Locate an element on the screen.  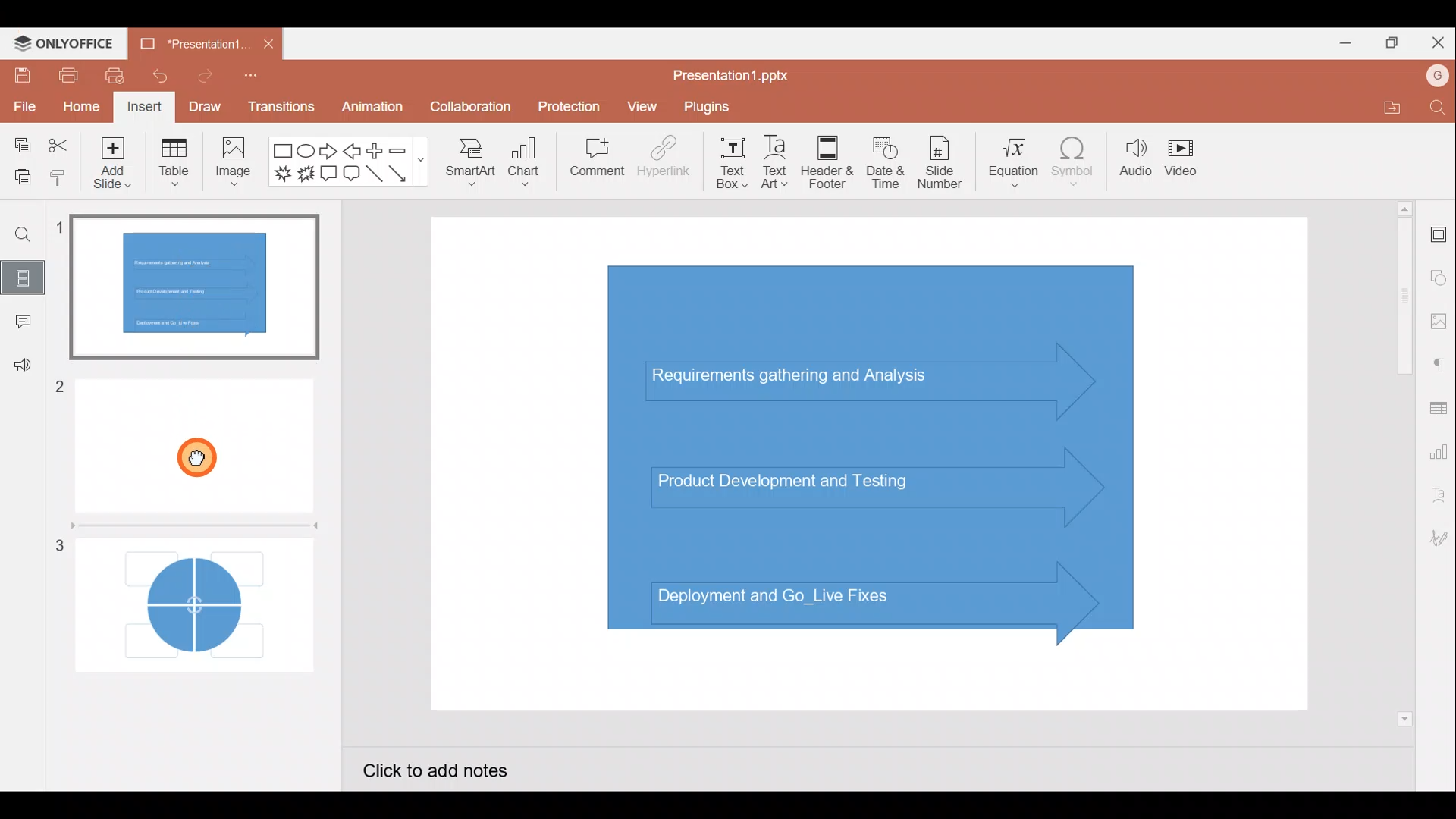
Protection is located at coordinates (566, 103).